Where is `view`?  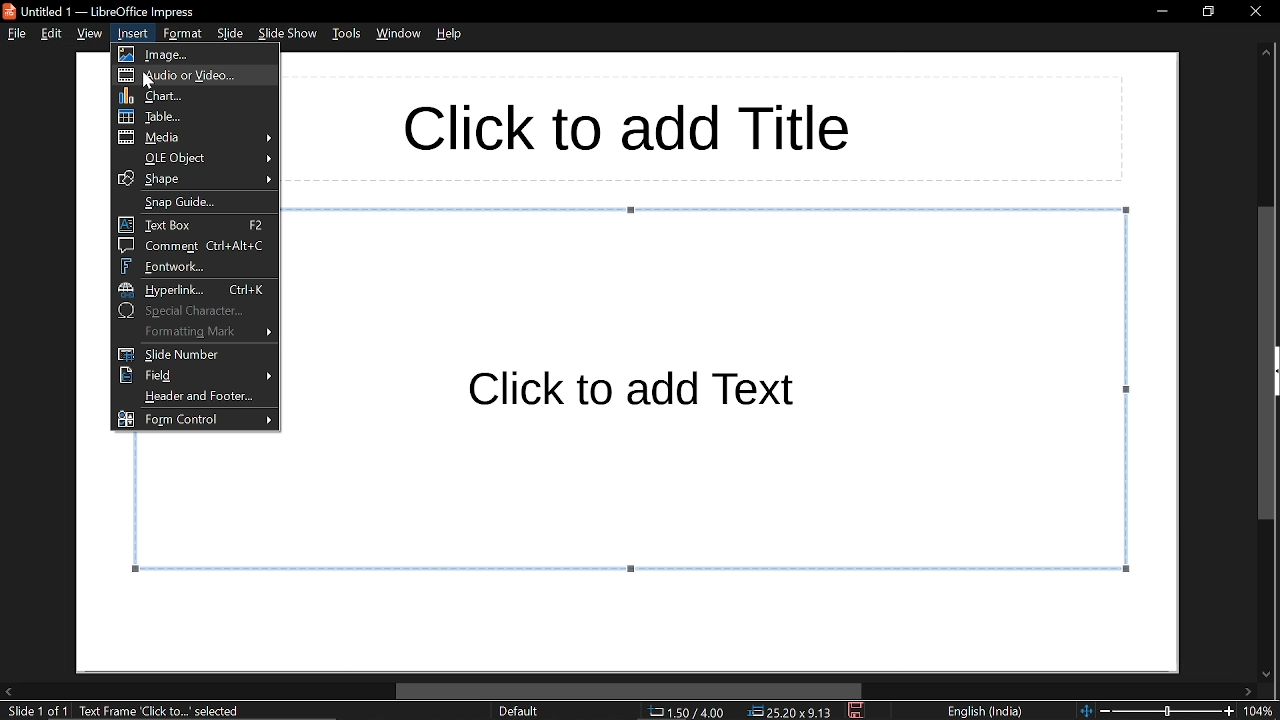 view is located at coordinates (92, 33).